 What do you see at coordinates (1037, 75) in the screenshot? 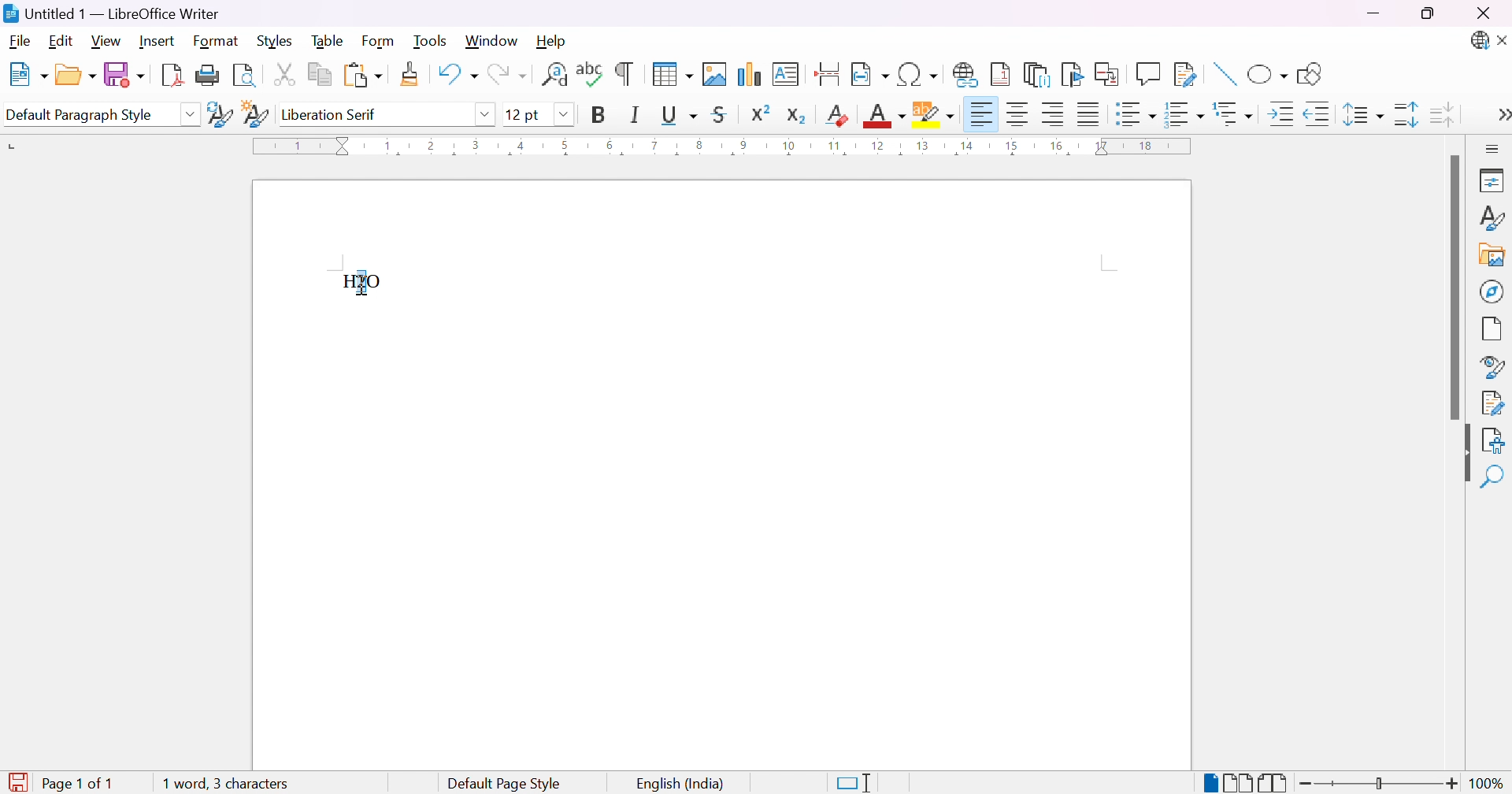
I see `Insert endnote` at bounding box center [1037, 75].